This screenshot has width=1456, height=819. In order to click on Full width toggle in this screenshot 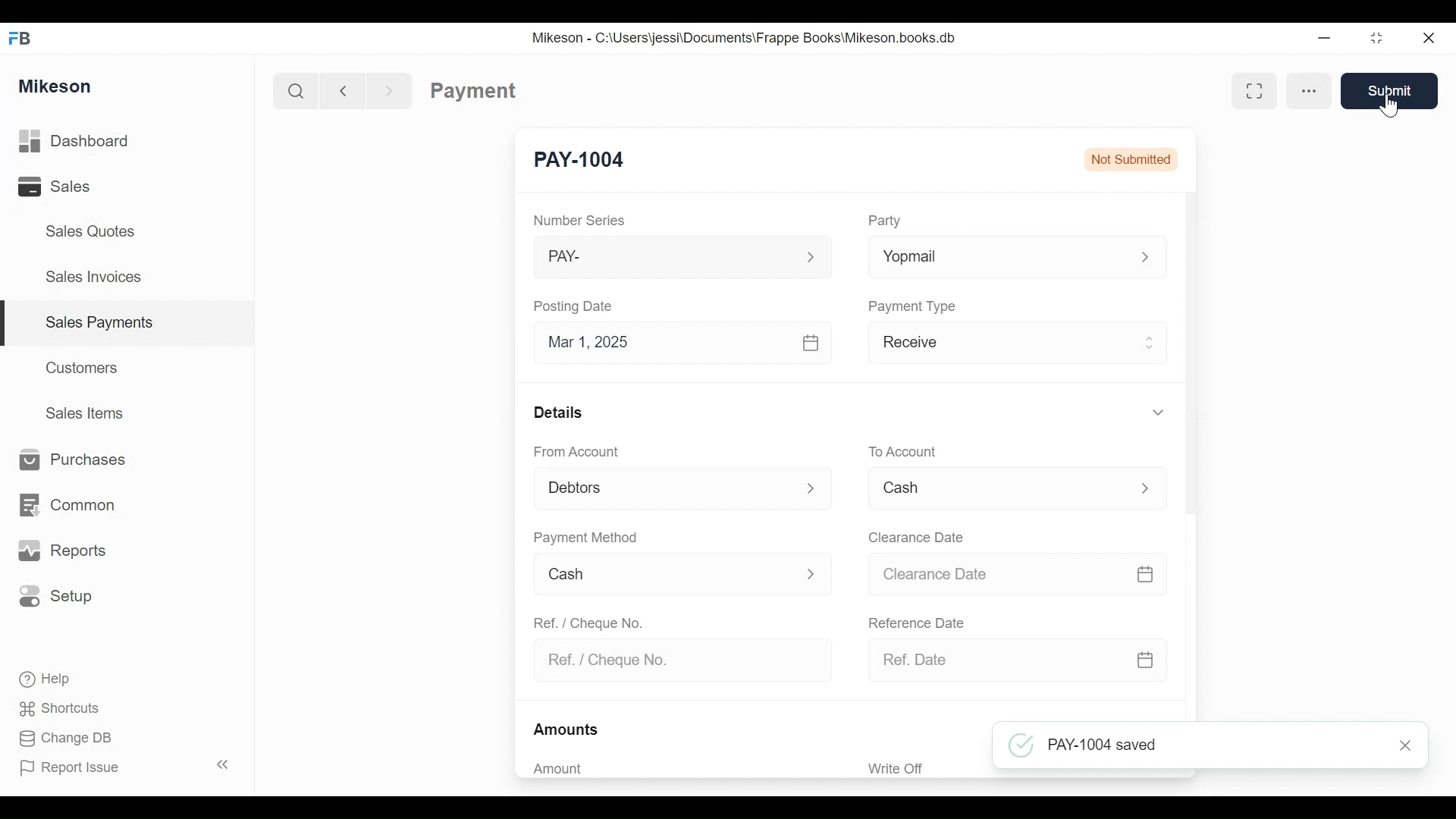, I will do `click(1250, 92)`.